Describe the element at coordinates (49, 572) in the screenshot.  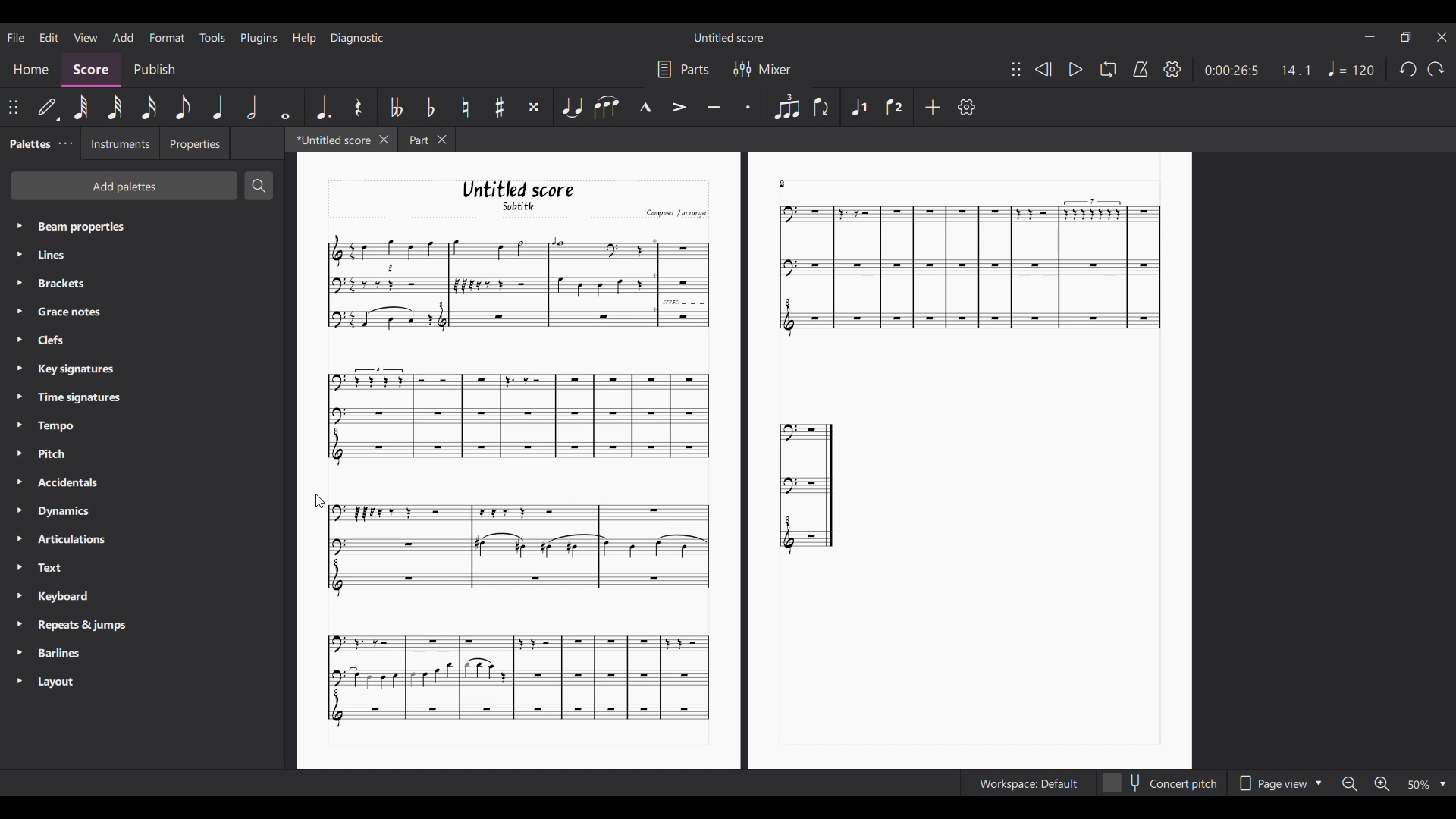
I see `> Text` at that location.